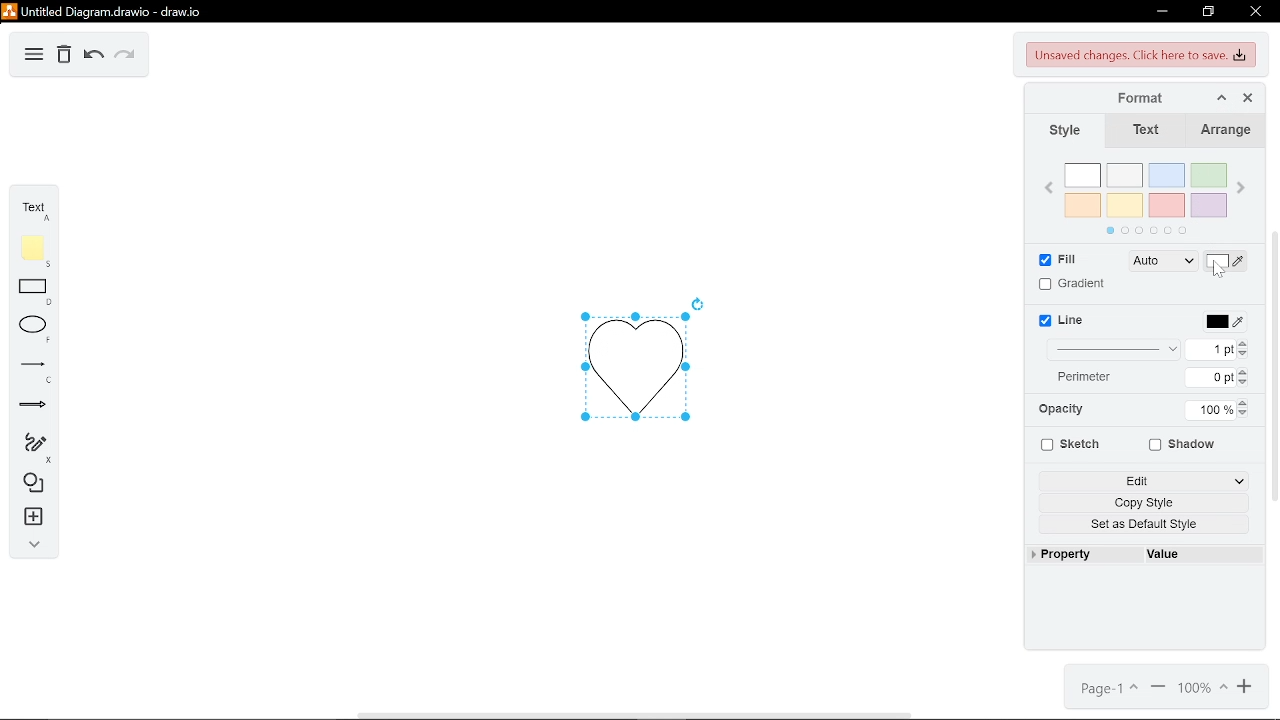 The height and width of the screenshot is (720, 1280). I want to click on delete, so click(66, 56).